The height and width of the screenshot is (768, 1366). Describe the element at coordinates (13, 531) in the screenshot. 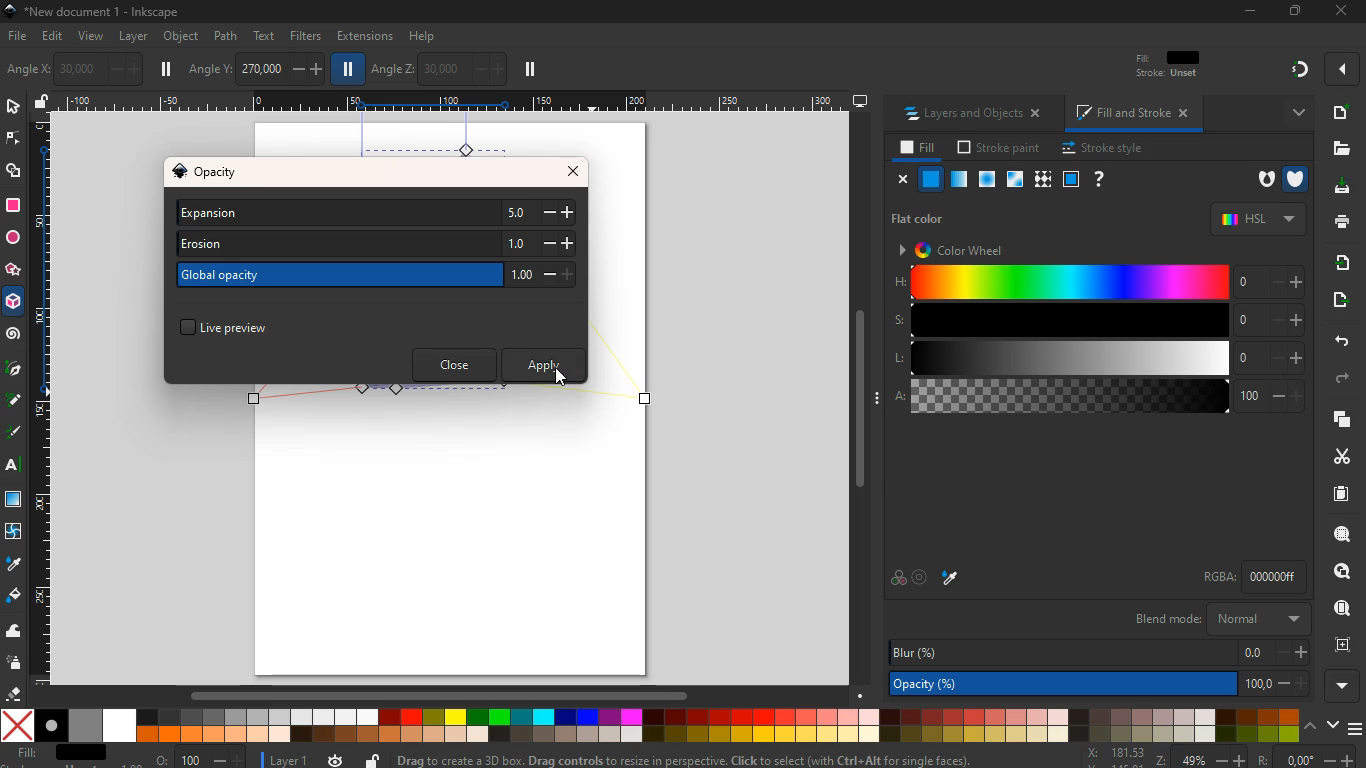

I see `twist` at that location.